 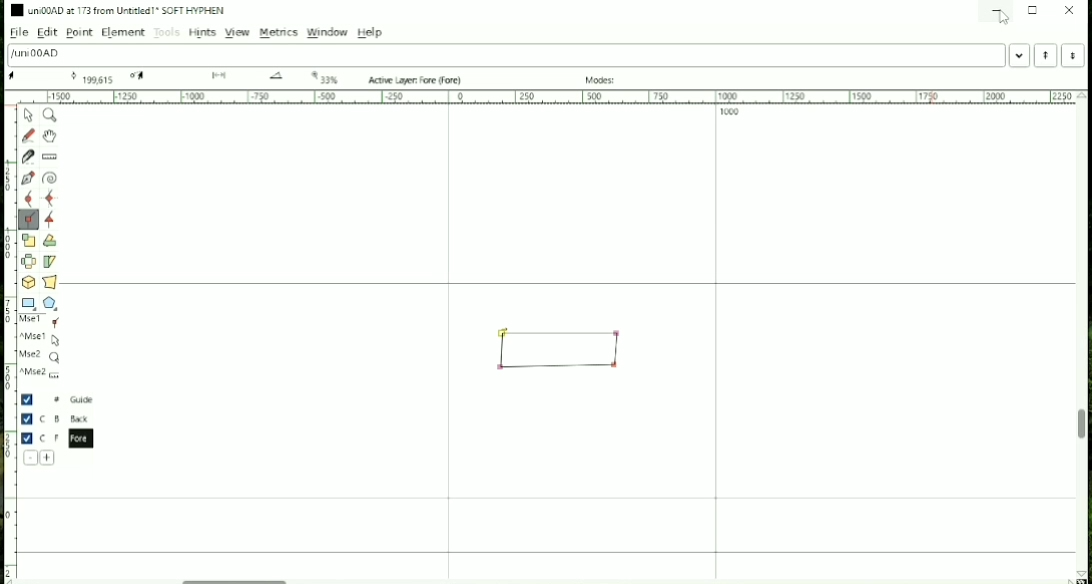 What do you see at coordinates (29, 261) in the screenshot?
I see `Flip the selection` at bounding box center [29, 261].